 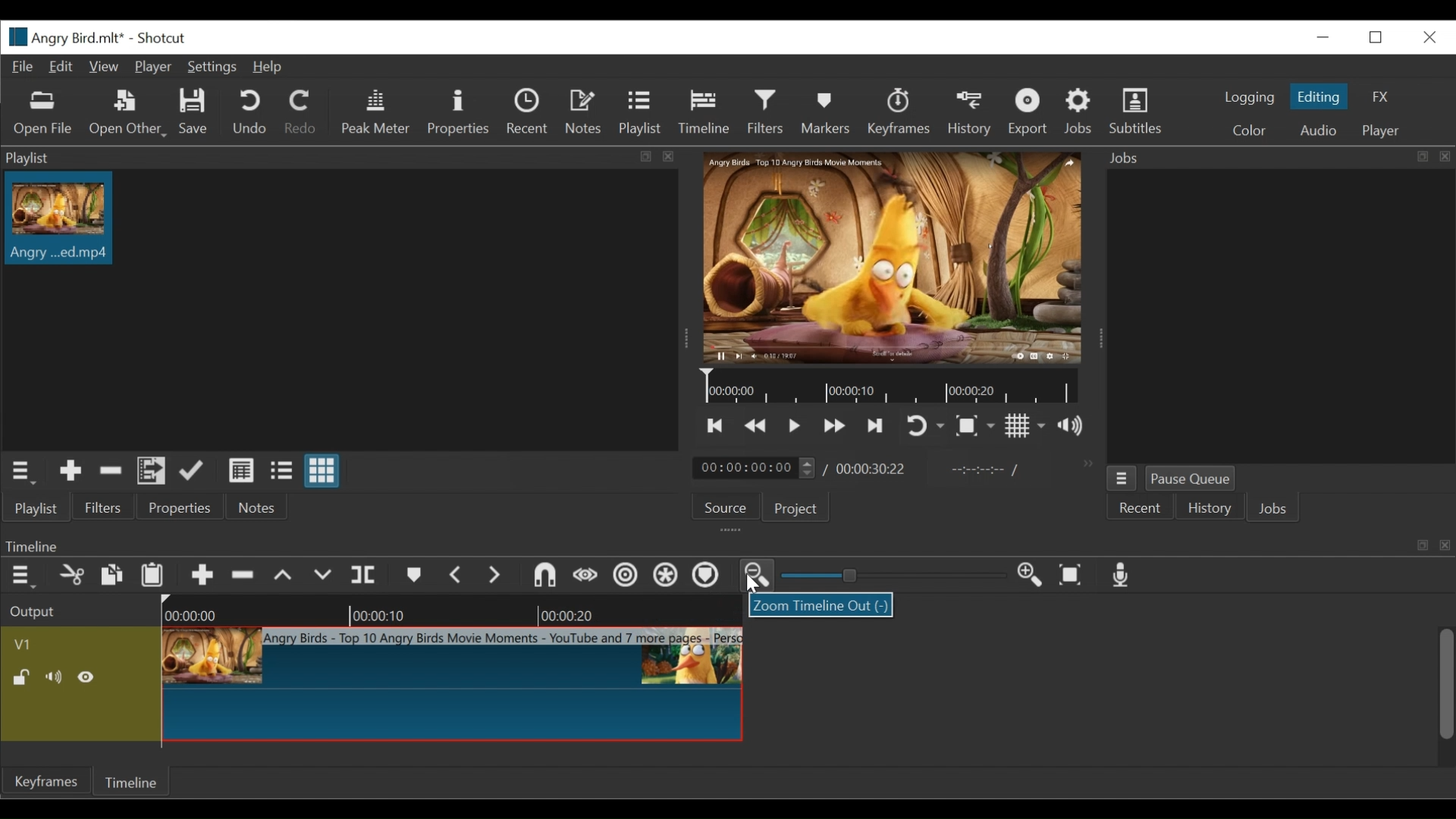 I want to click on Scrub while dragging, so click(x=708, y=576).